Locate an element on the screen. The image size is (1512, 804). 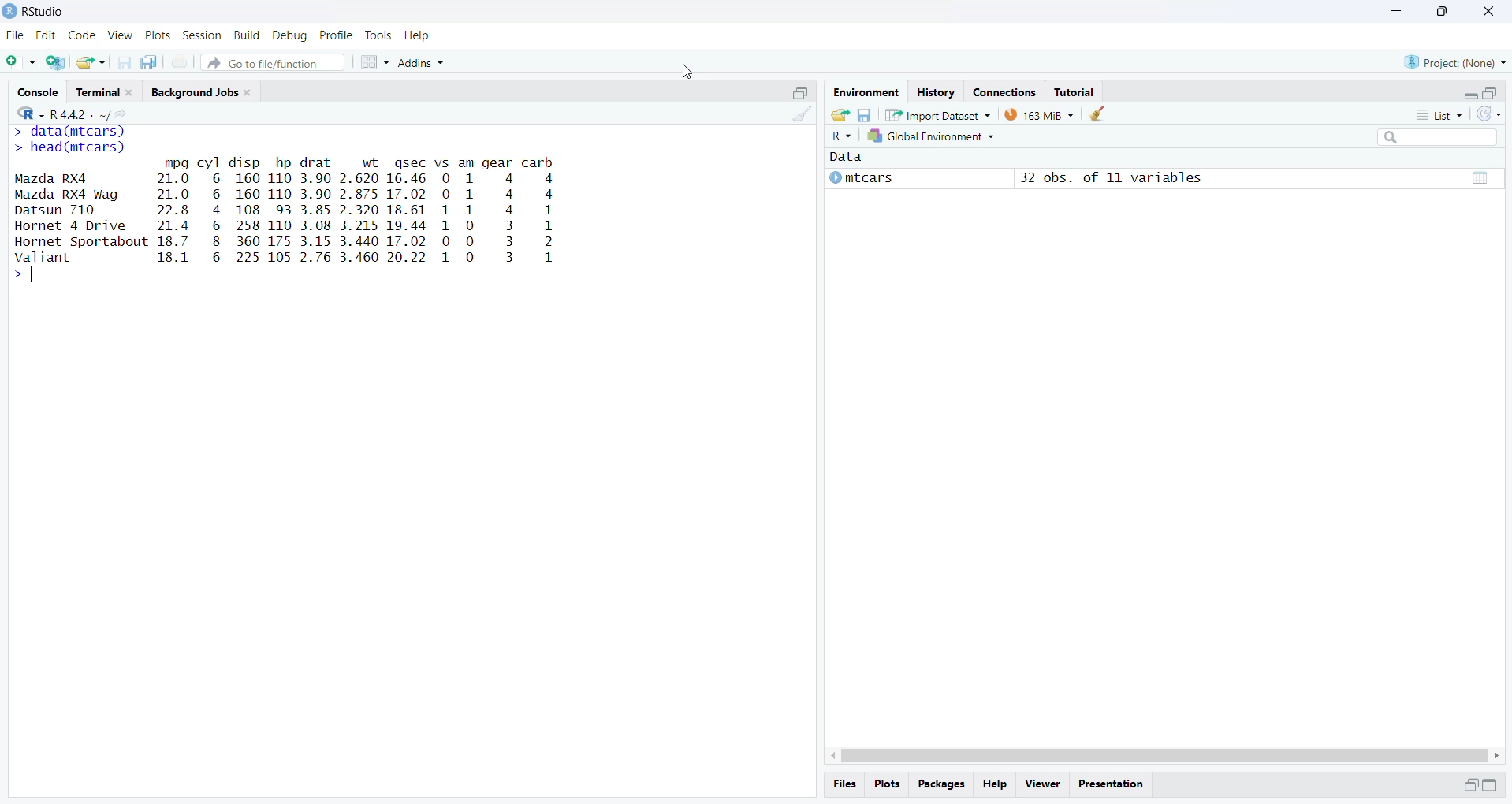
typing indicator is located at coordinates (35, 277).